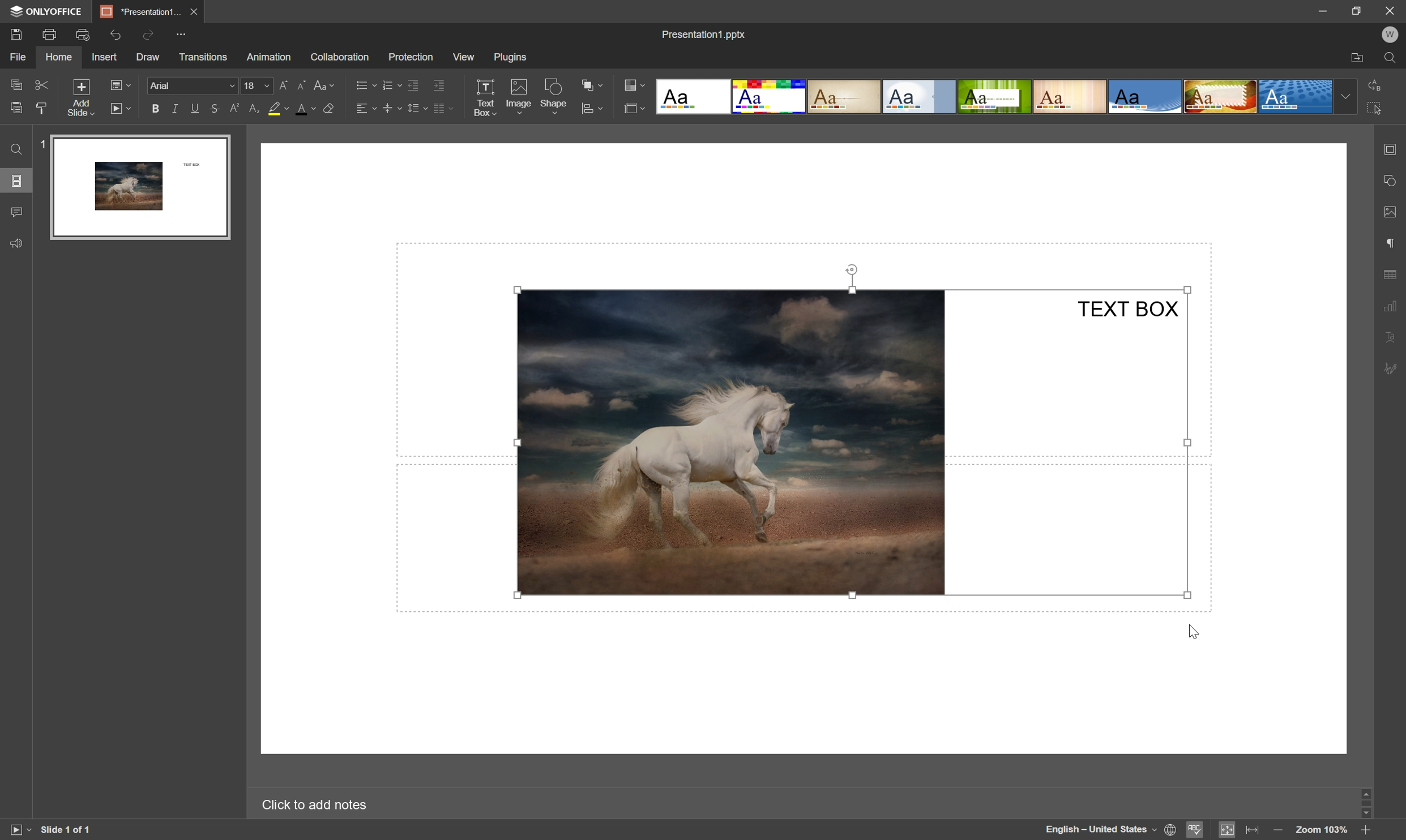 The width and height of the screenshot is (1406, 840). Describe the element at coordinates (1377, 84) in the screenshot. I see `replace` at that location.